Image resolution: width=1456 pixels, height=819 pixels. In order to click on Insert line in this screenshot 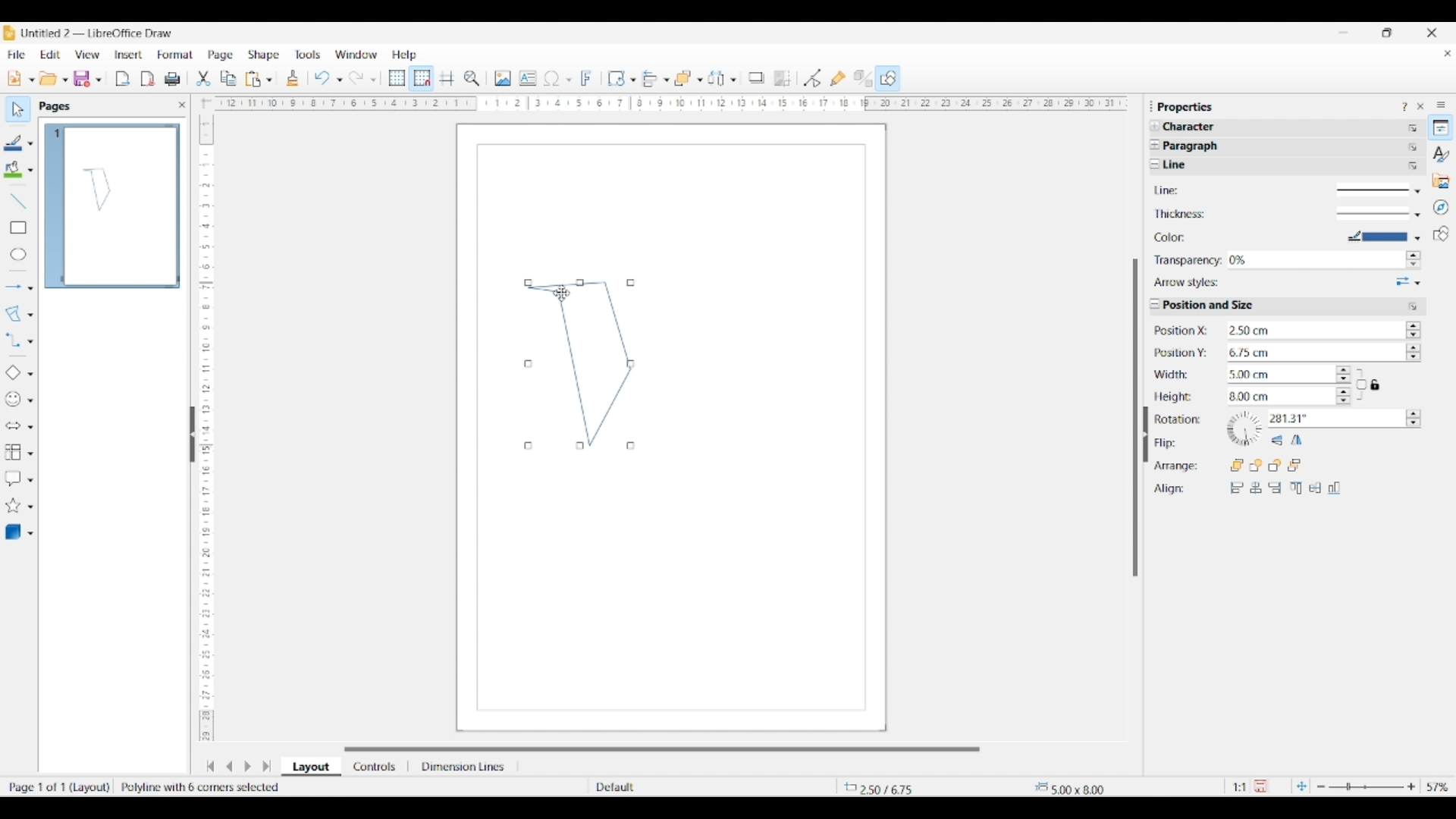, I will do `click(17, 200)`.